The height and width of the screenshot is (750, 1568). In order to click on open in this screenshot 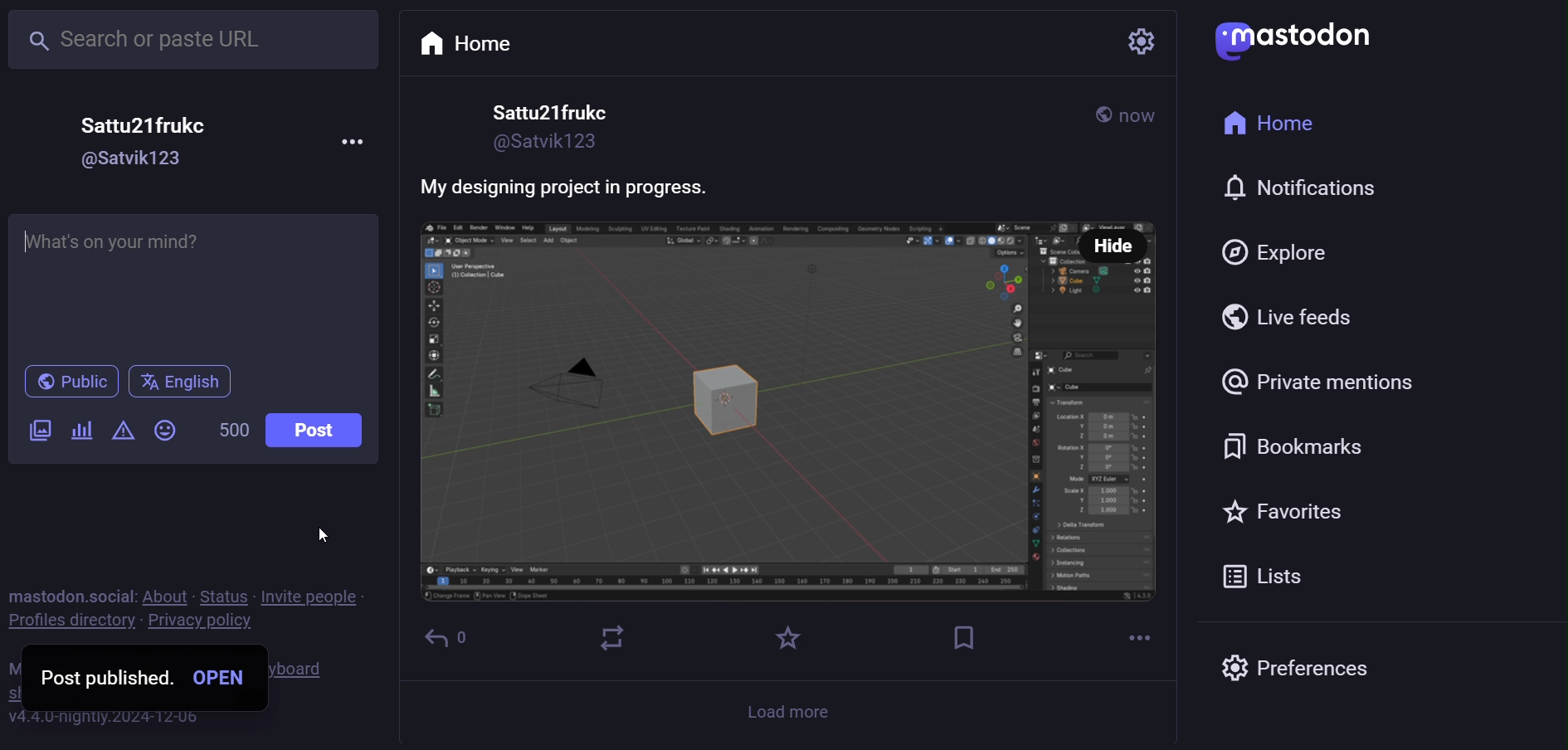, I will do `click(223, 673)`.